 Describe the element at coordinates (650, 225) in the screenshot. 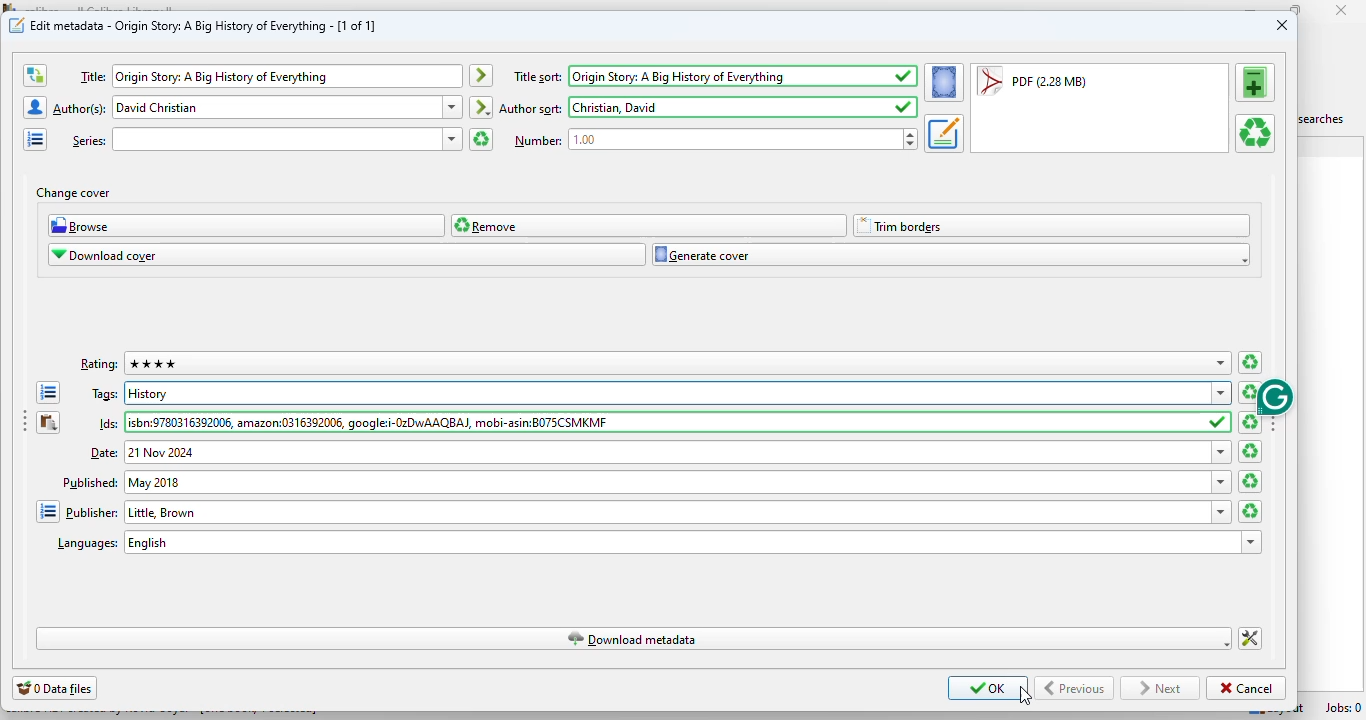

I see `remove` at that location.